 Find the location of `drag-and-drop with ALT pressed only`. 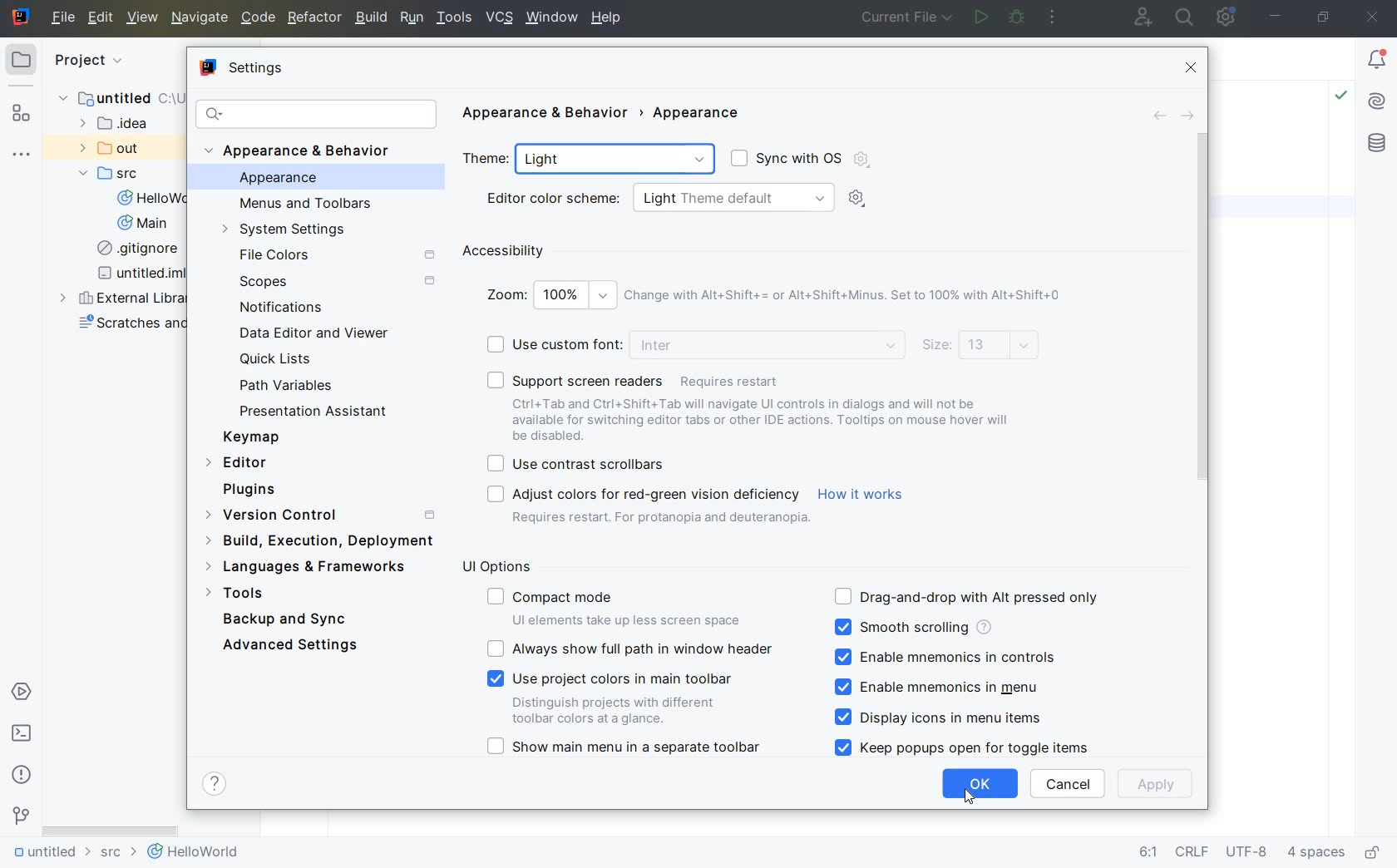

drag-and-drop with ALT pressed only is located at coordinates (967, 595).